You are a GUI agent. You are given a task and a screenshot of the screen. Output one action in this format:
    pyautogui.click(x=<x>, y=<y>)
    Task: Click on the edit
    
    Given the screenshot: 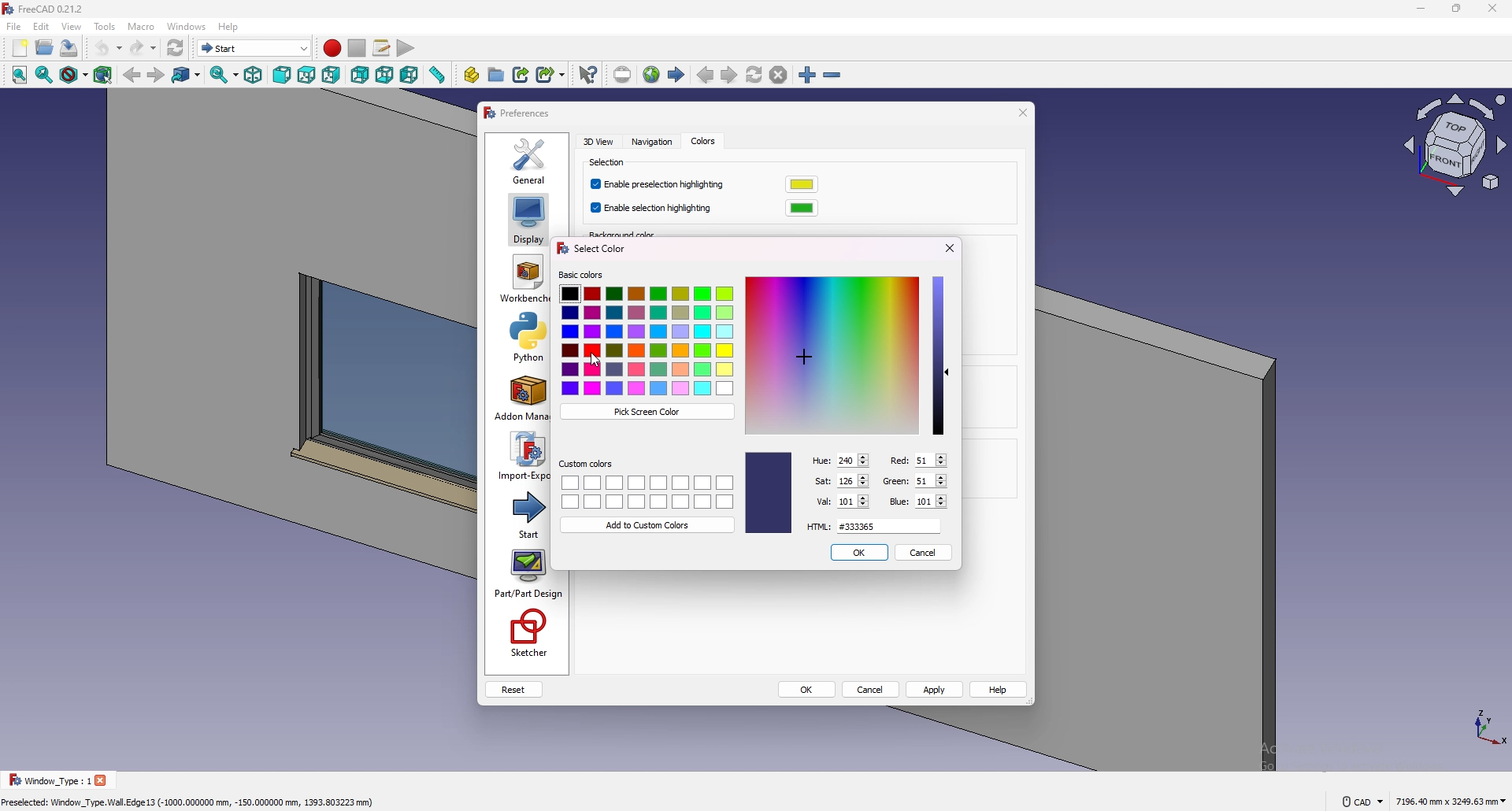 What is the action you would take?
    pyautogui.click(x=42, y=26)
    